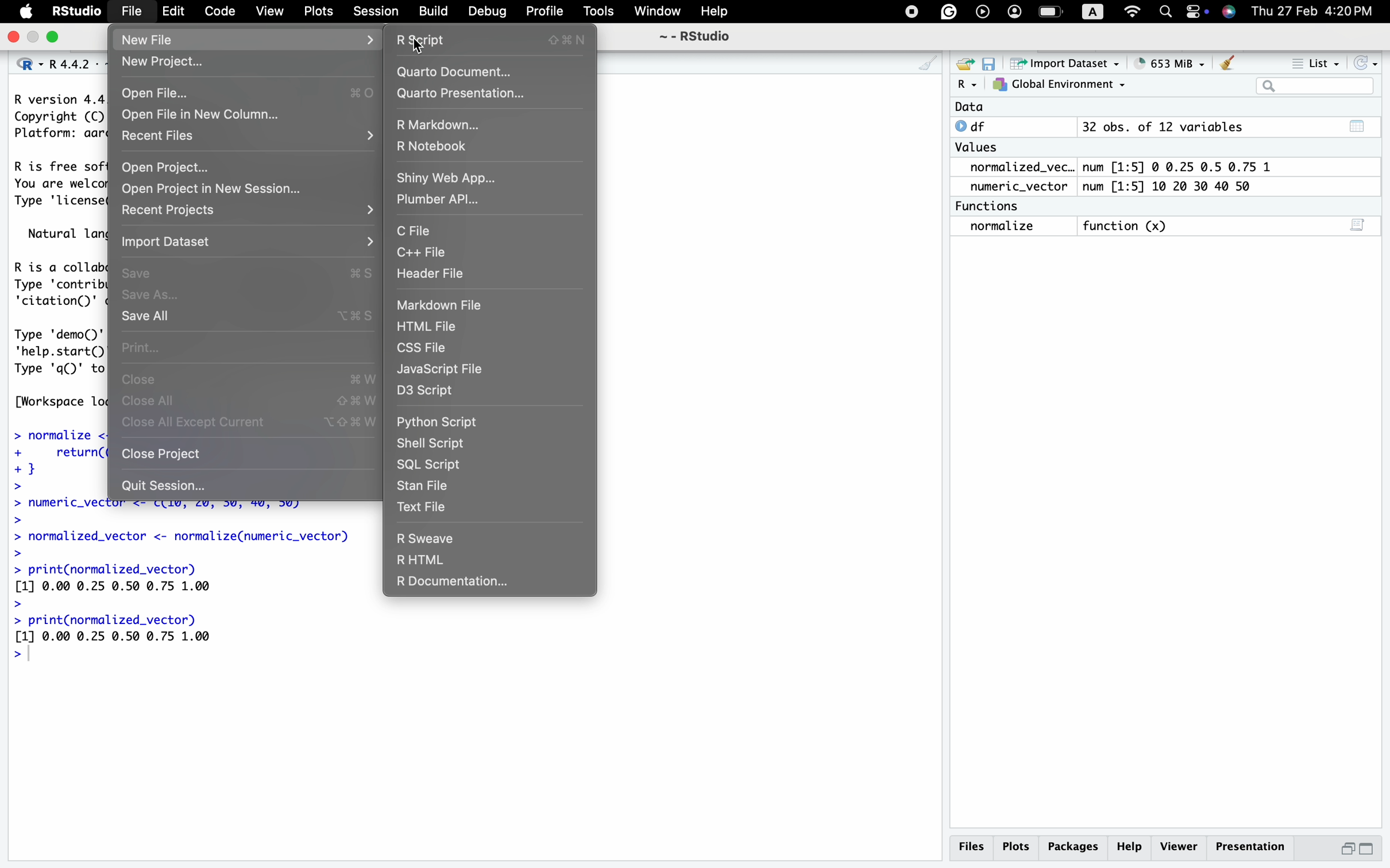  What do you see at coordinates (27, 12) in the screenshot?
I see `Apple` at bounding box center [27, 12].